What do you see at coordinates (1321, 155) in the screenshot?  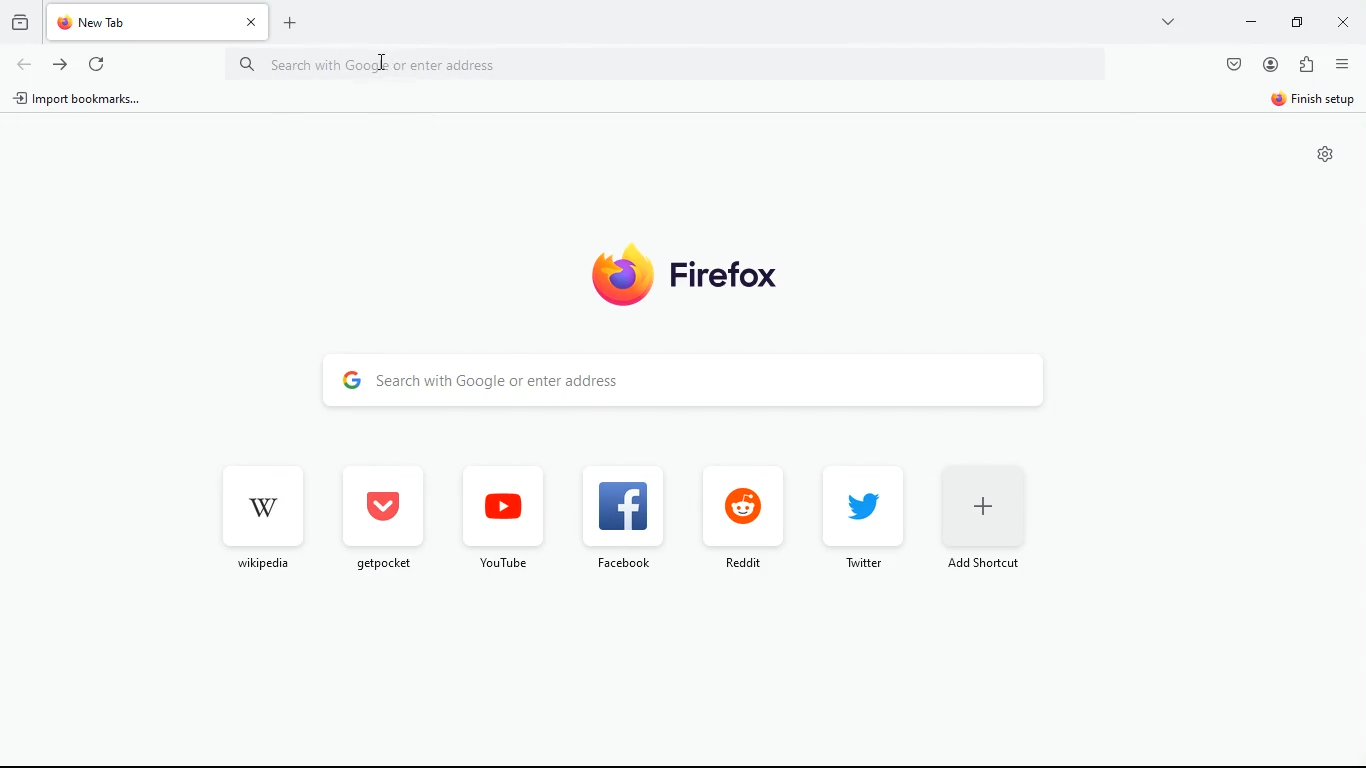 I see `settings` at bounding box center [1321, 155].